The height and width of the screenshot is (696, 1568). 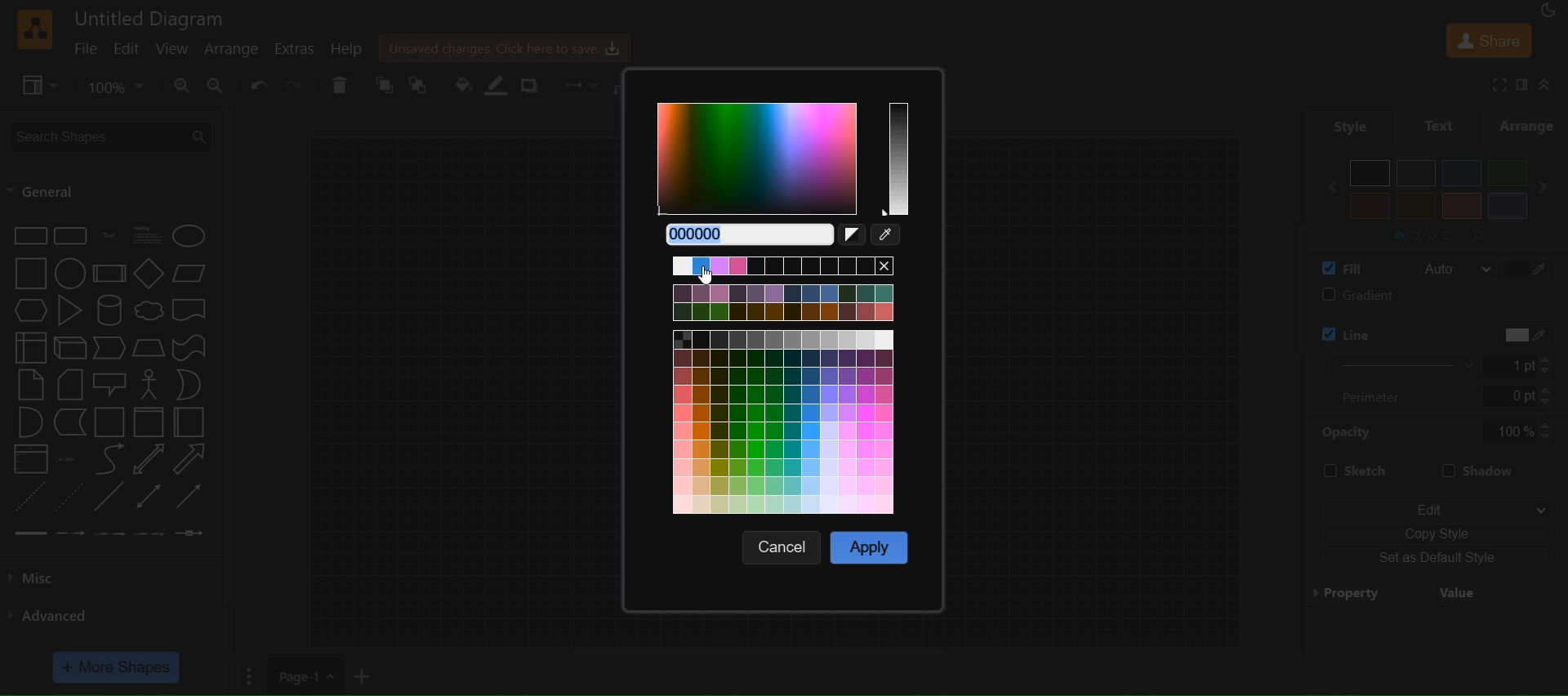 I want to click on undo, so click(x=261, y=84).